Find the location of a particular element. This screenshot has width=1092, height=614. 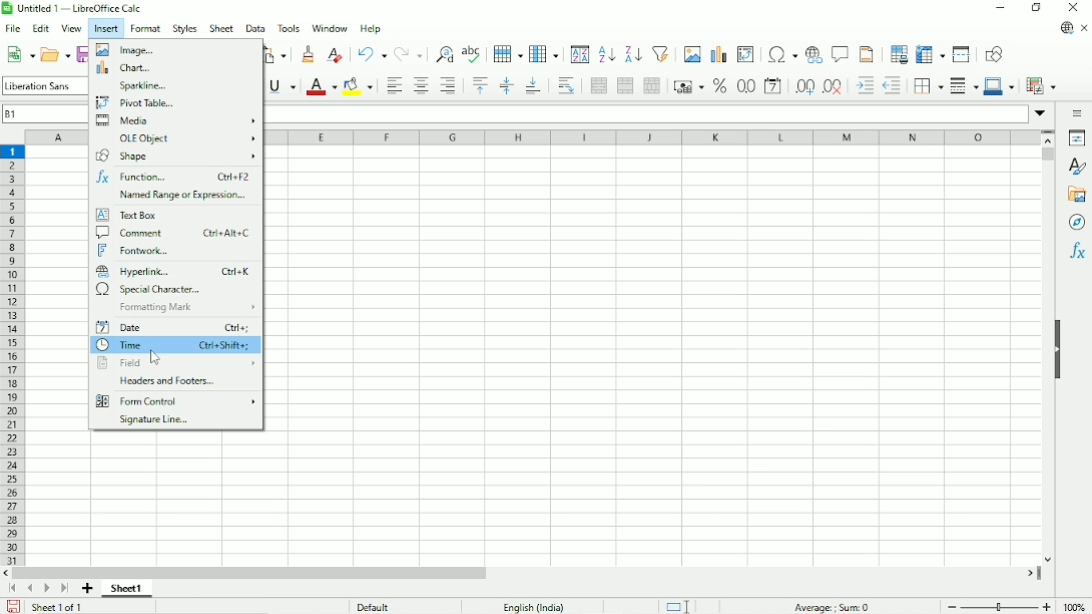

Form control is located at coordinates (176, 401).